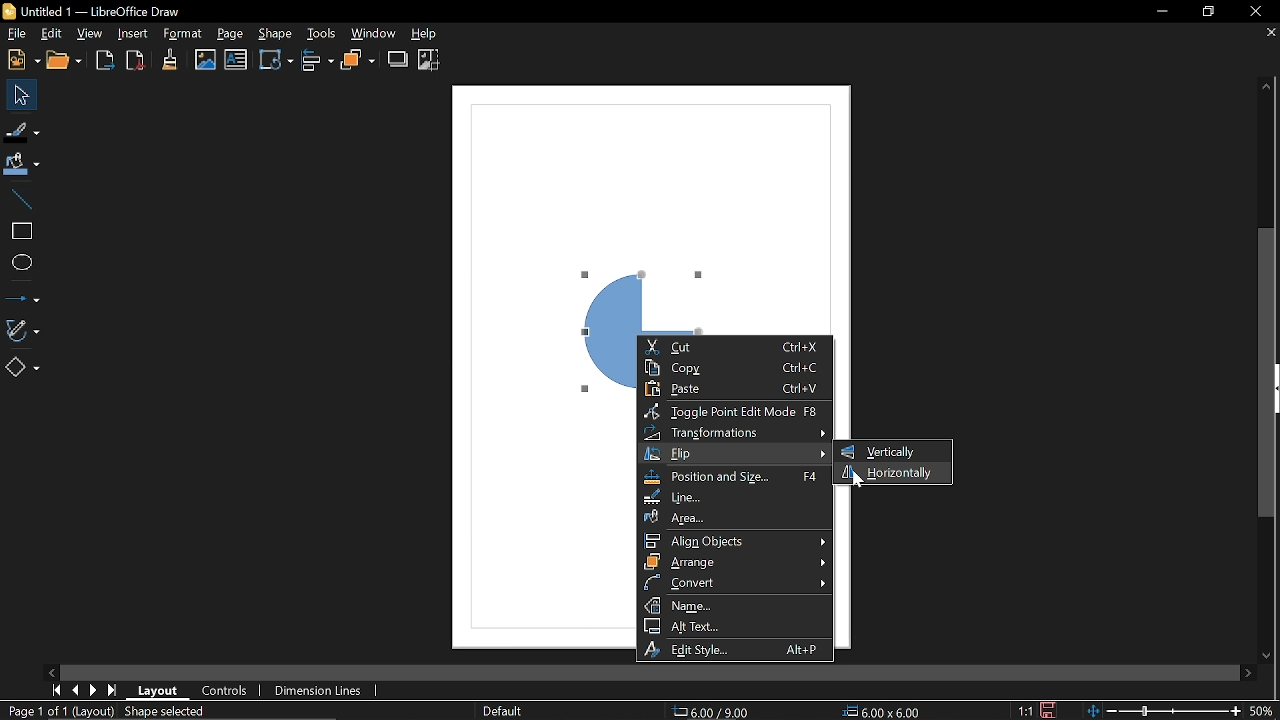 This screenshot has width=1280, height=720. I want to click on Format, so click(179, 35).